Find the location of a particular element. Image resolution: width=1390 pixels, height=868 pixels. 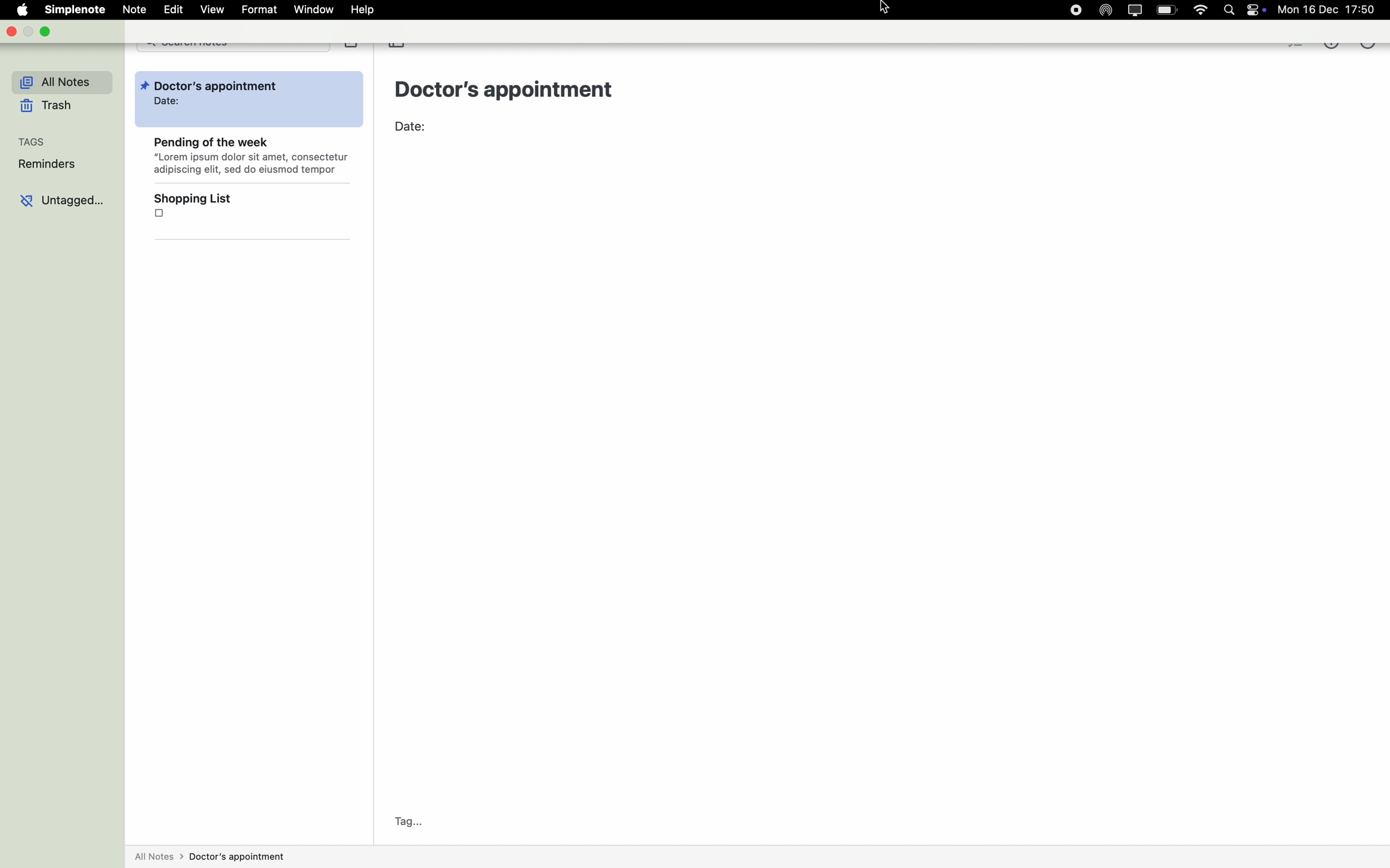

tags is located at coordinates (34, 142).